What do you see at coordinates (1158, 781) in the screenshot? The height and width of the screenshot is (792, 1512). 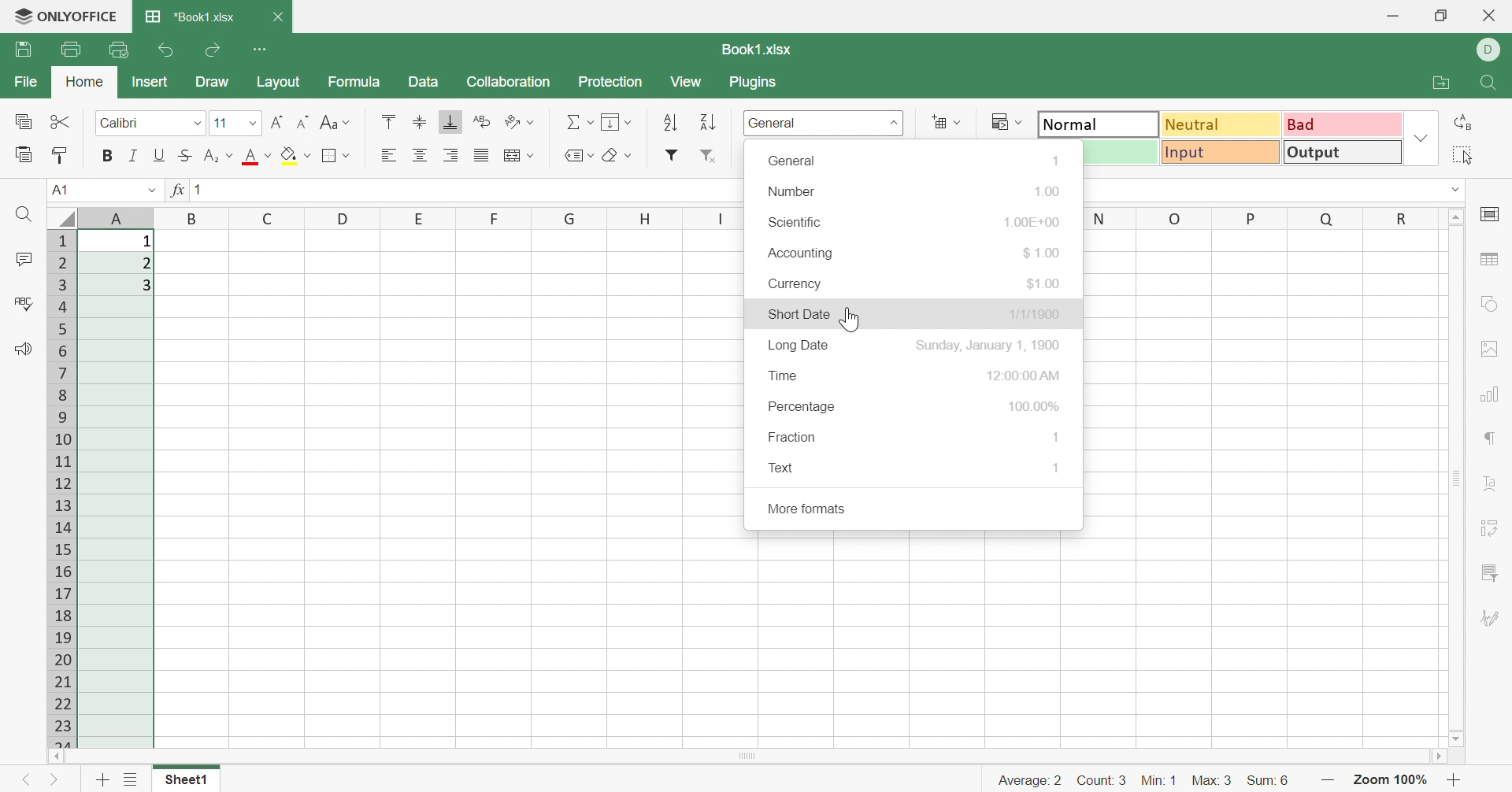 I see `Min: 1` at bounding box center [1158, 781].